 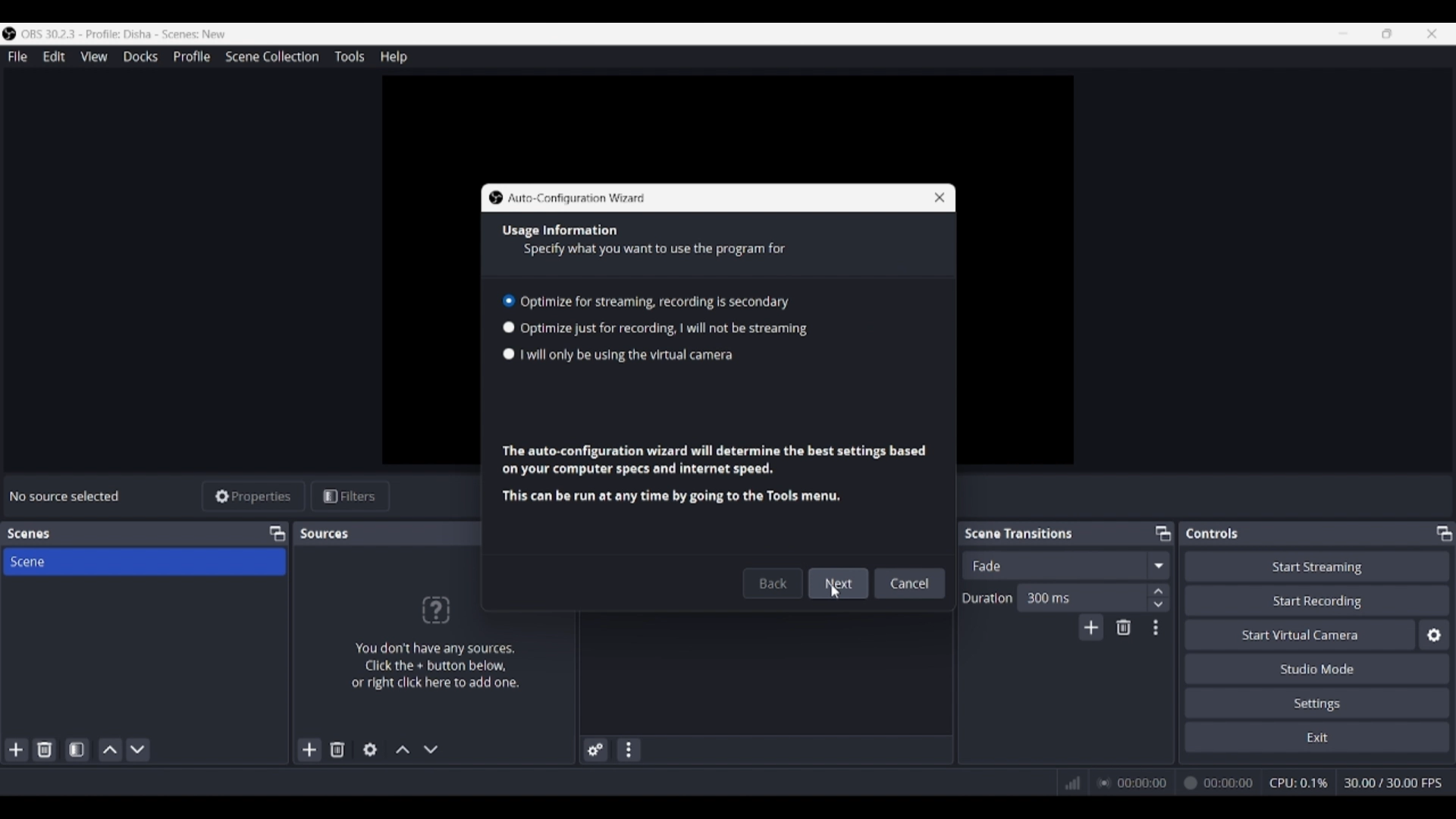 What do you see at coordinates (1318, 566) in the screenshot?
I see `Start streaming` at bounding box center [1318, 566].